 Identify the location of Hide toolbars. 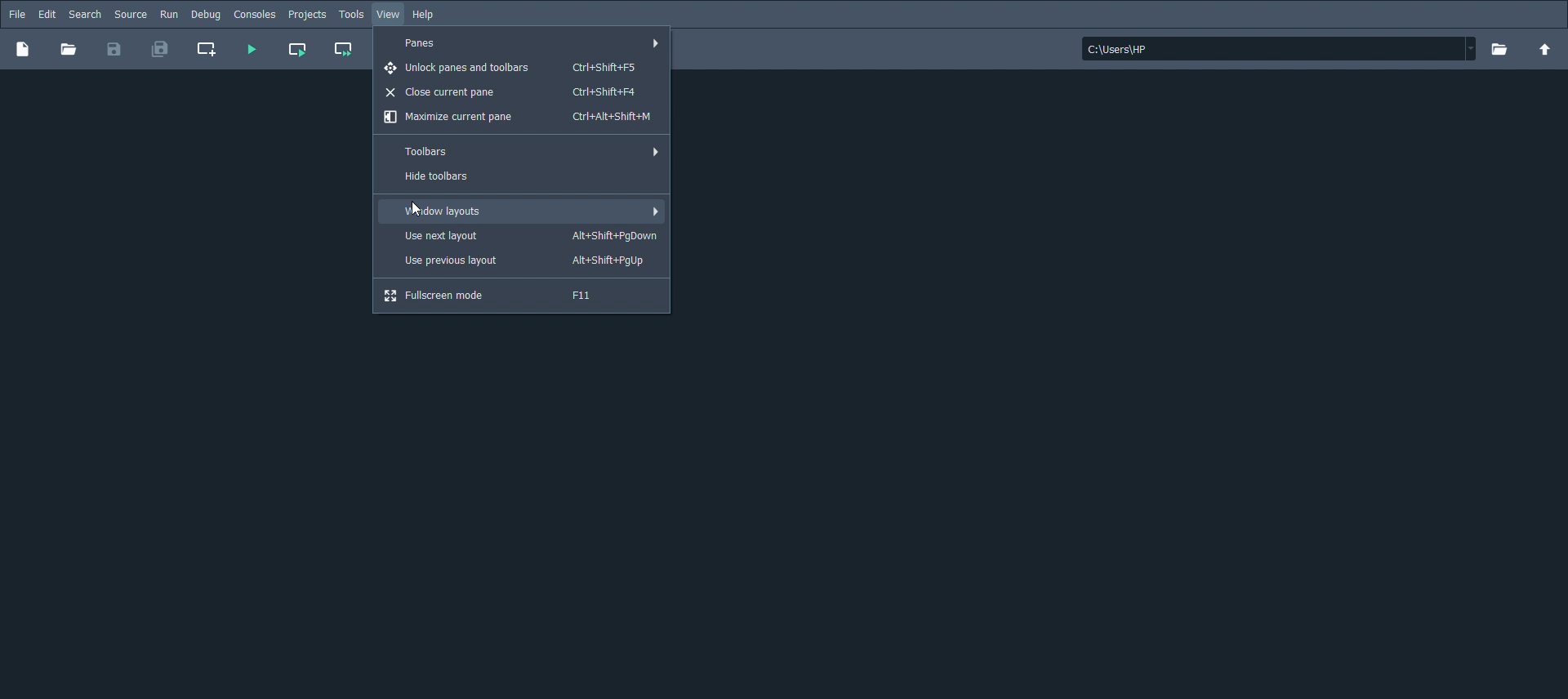
(448, 176).